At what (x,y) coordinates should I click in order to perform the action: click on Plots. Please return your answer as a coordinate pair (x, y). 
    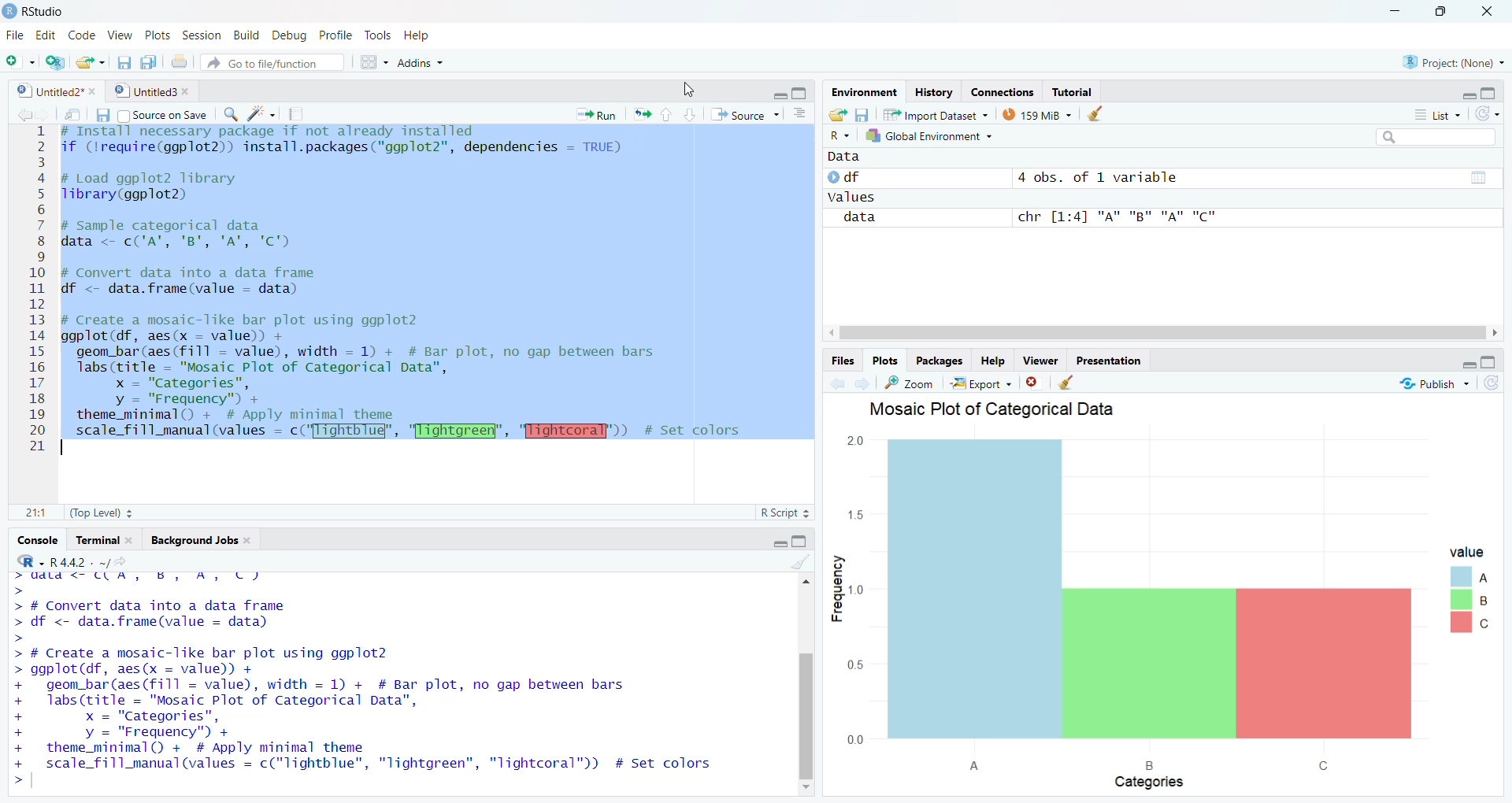
    Looking at the image, I should click on (884, 361).